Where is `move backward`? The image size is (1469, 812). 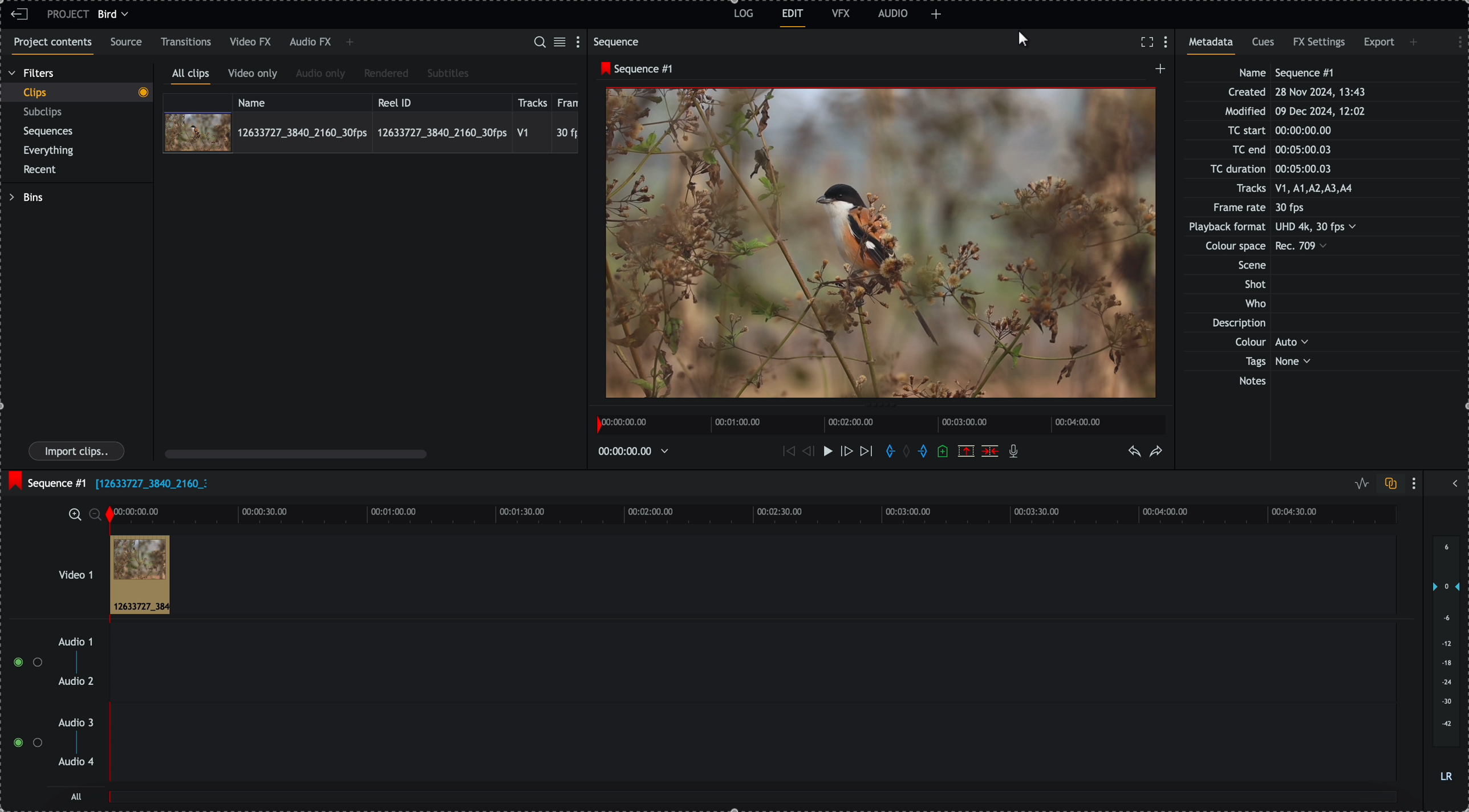
move backward is located at coordinates (787, 453).